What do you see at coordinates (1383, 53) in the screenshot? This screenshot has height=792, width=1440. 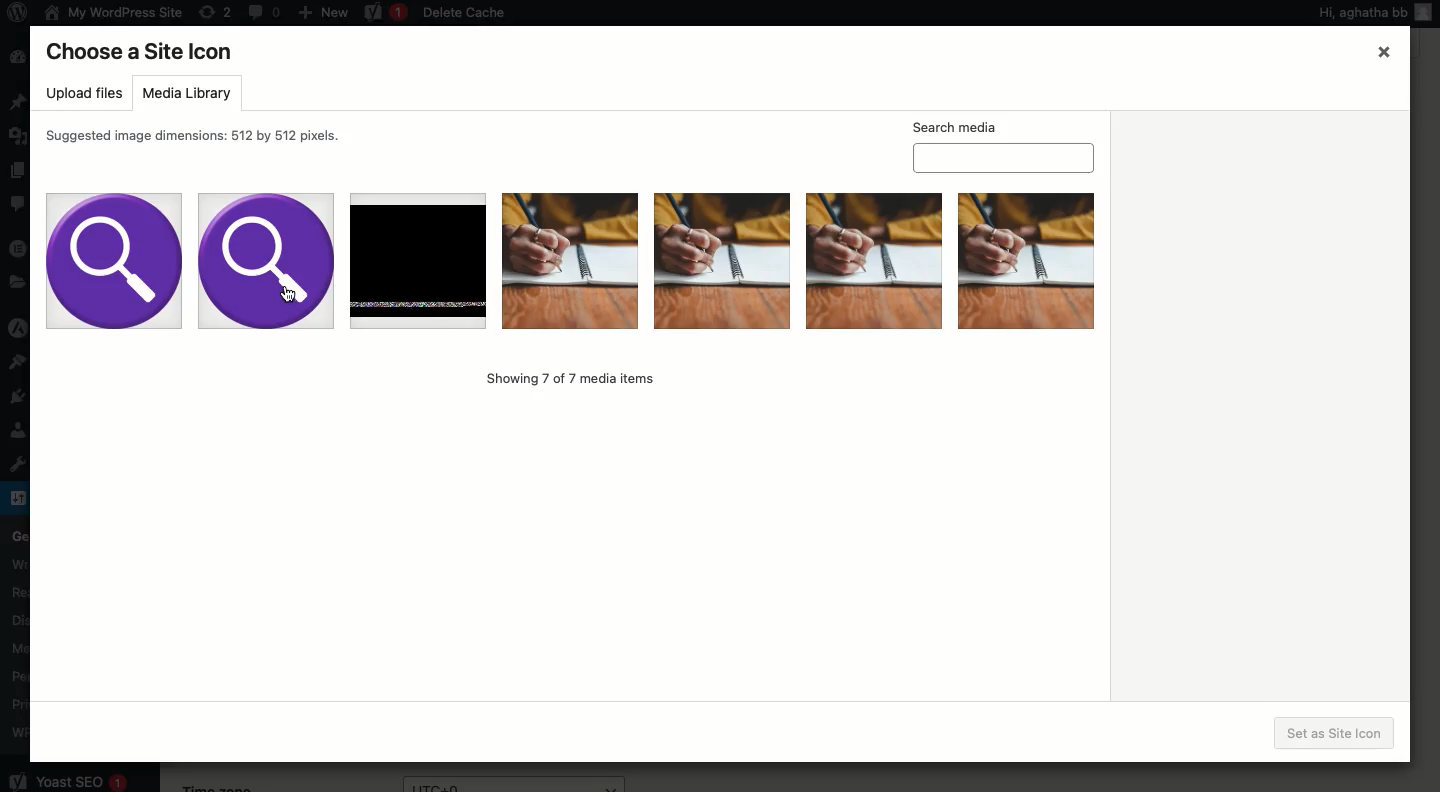 I see `Close` at bounding box center [1383, 53].